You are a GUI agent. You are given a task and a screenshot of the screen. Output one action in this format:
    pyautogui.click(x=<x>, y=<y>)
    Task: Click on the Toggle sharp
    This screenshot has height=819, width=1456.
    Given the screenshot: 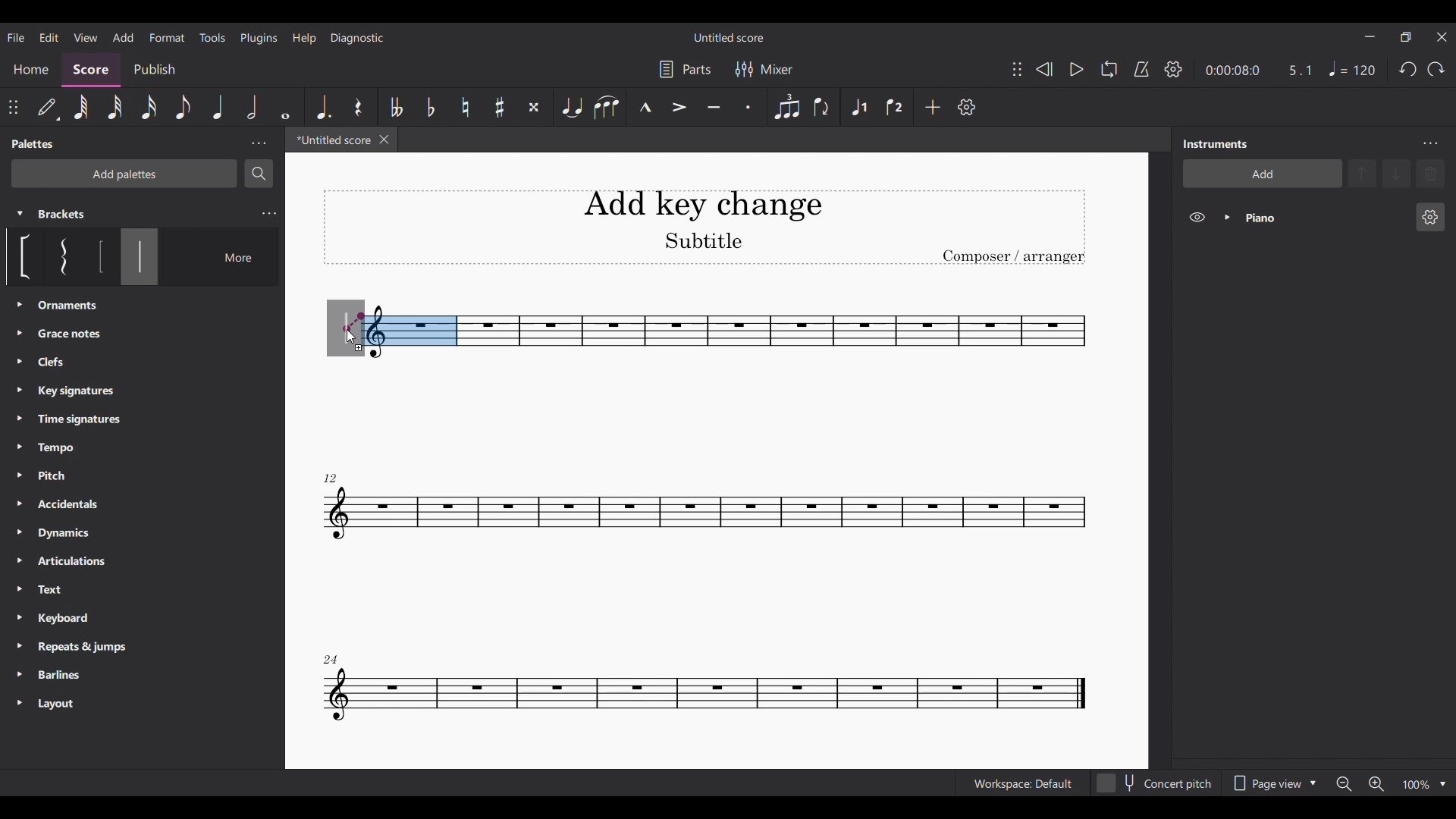 What is the action you would take?
    pyautogui.click(x=500, y=108)
    